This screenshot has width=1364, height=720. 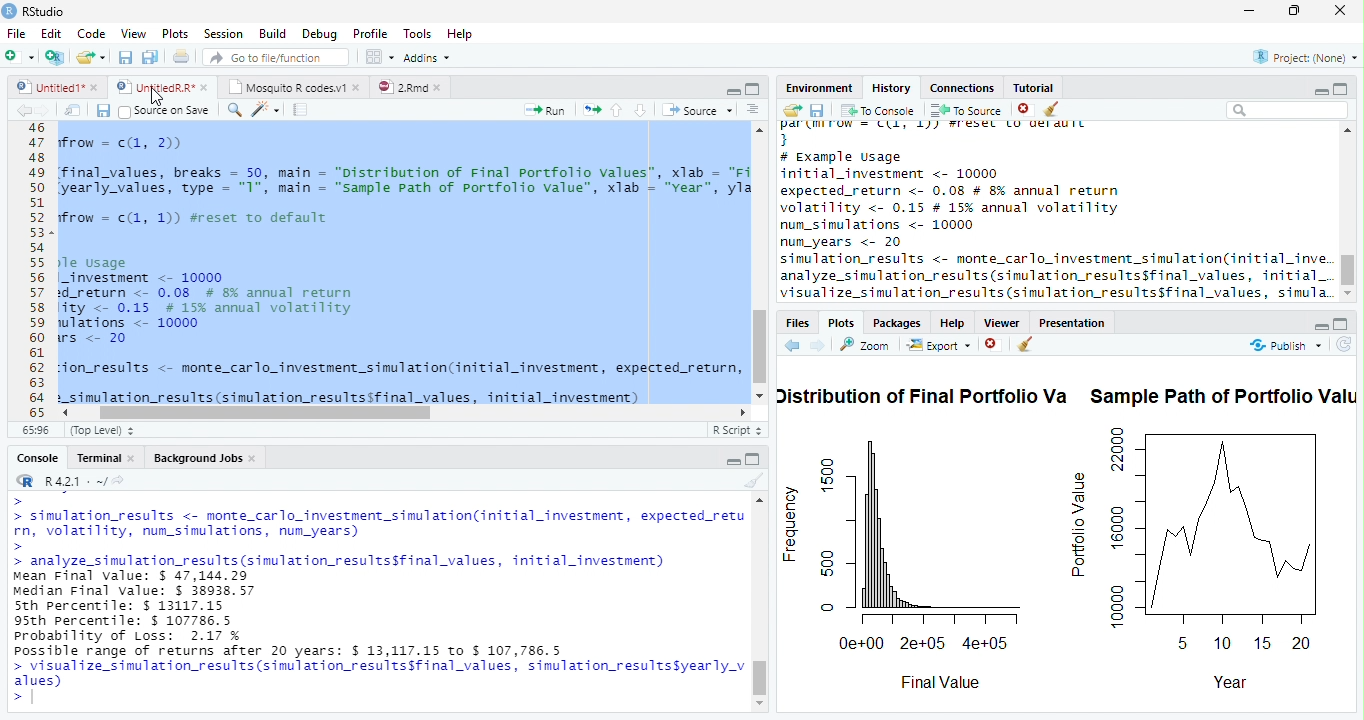 I want to click on Save current file, so click(x=124, y=57).